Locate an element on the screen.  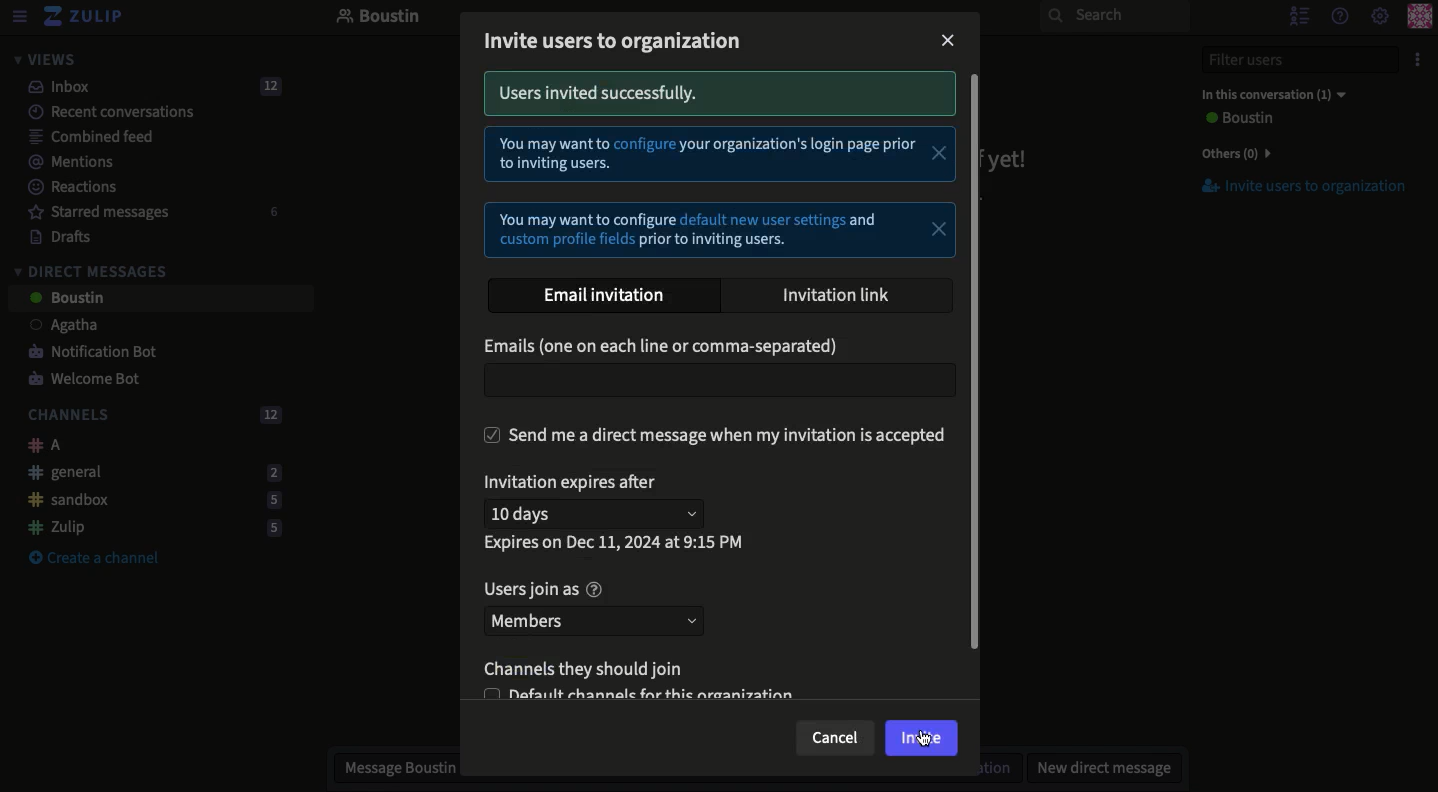
Search  is located at coordinates (1114, 16).